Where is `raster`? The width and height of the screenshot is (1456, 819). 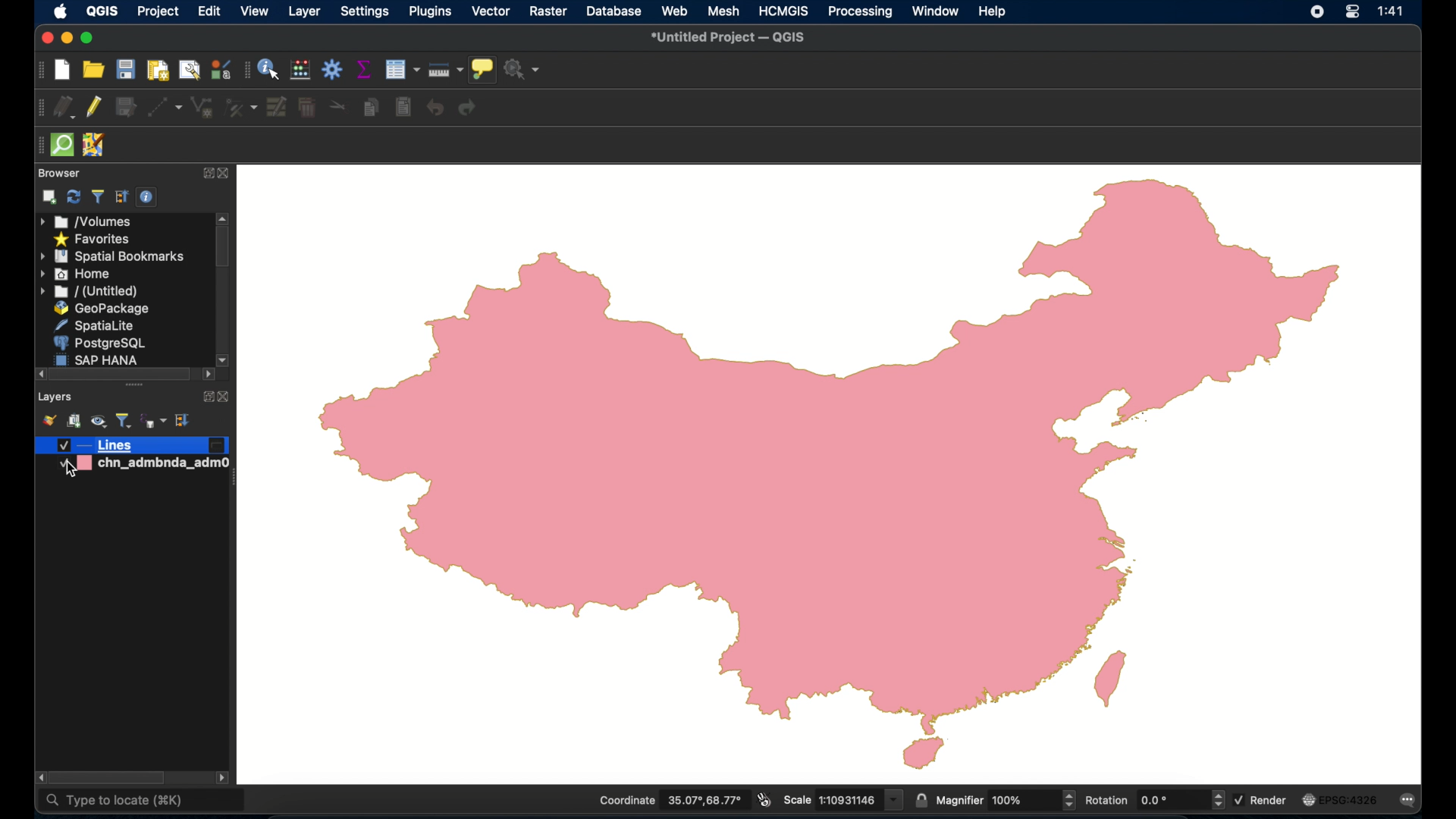
raster is located at coordinates (548, 11).